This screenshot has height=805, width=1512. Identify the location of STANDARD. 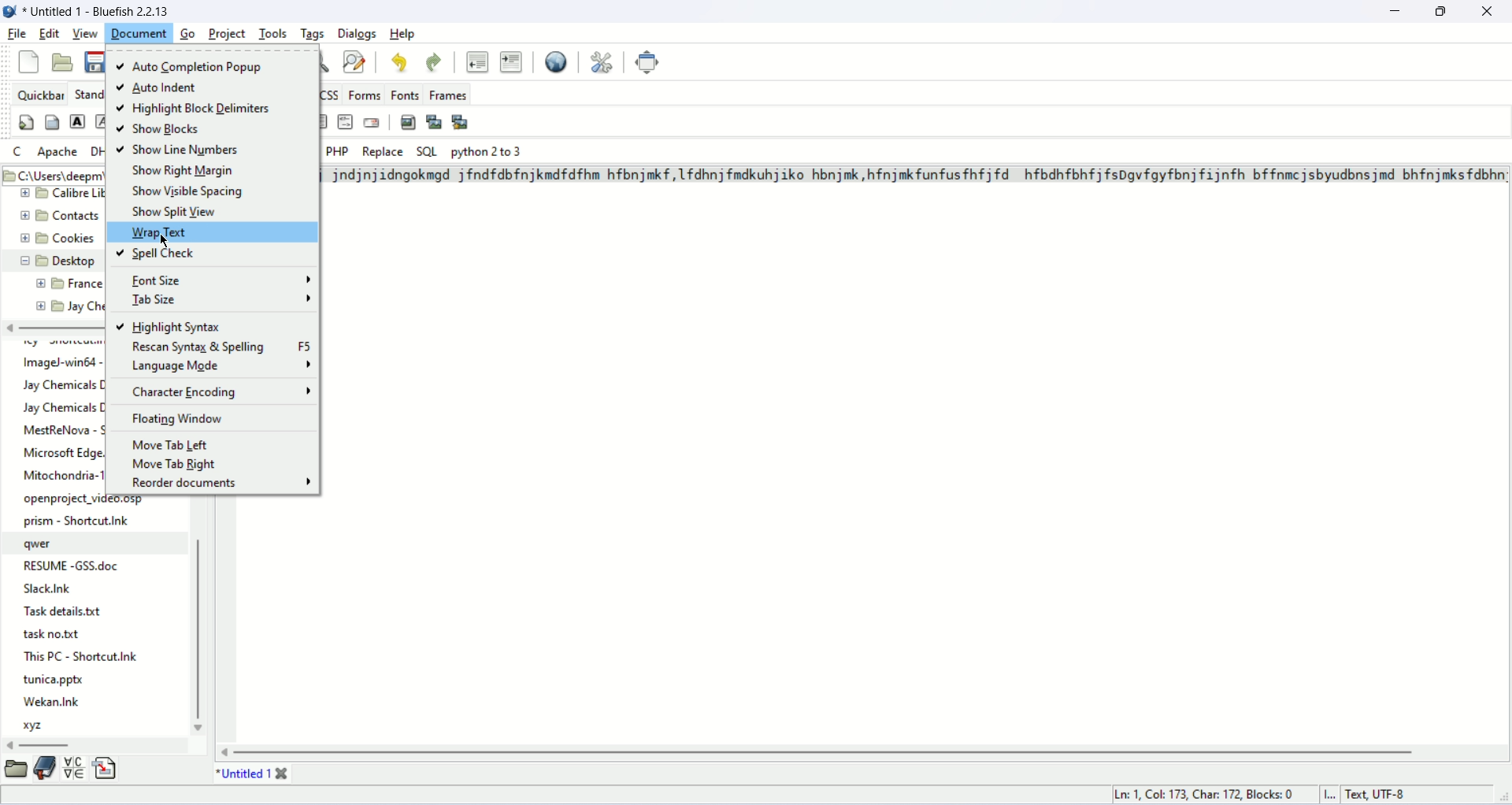
(87, 94).